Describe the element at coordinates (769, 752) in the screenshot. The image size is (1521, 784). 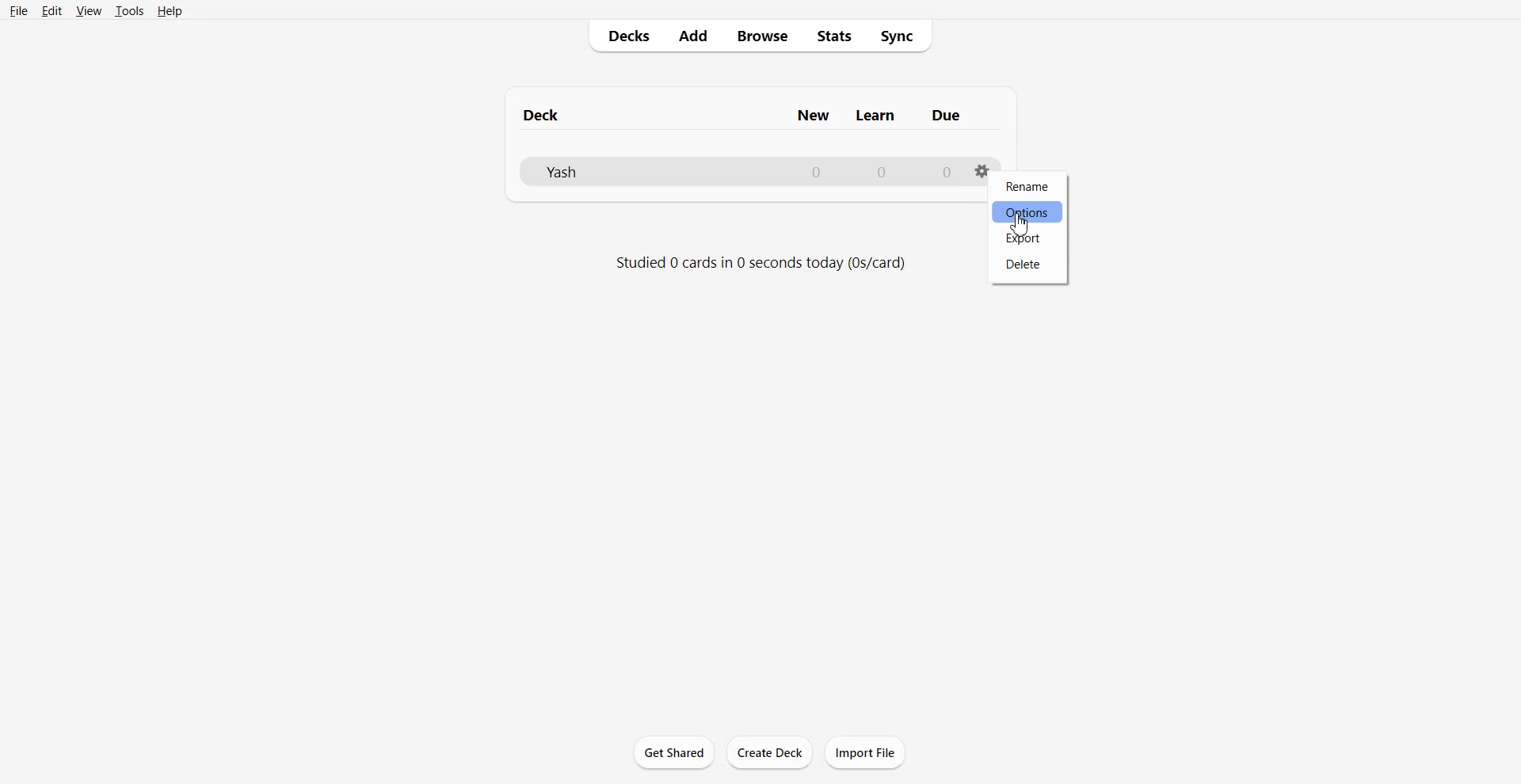
I see `Create Deck` at that location.